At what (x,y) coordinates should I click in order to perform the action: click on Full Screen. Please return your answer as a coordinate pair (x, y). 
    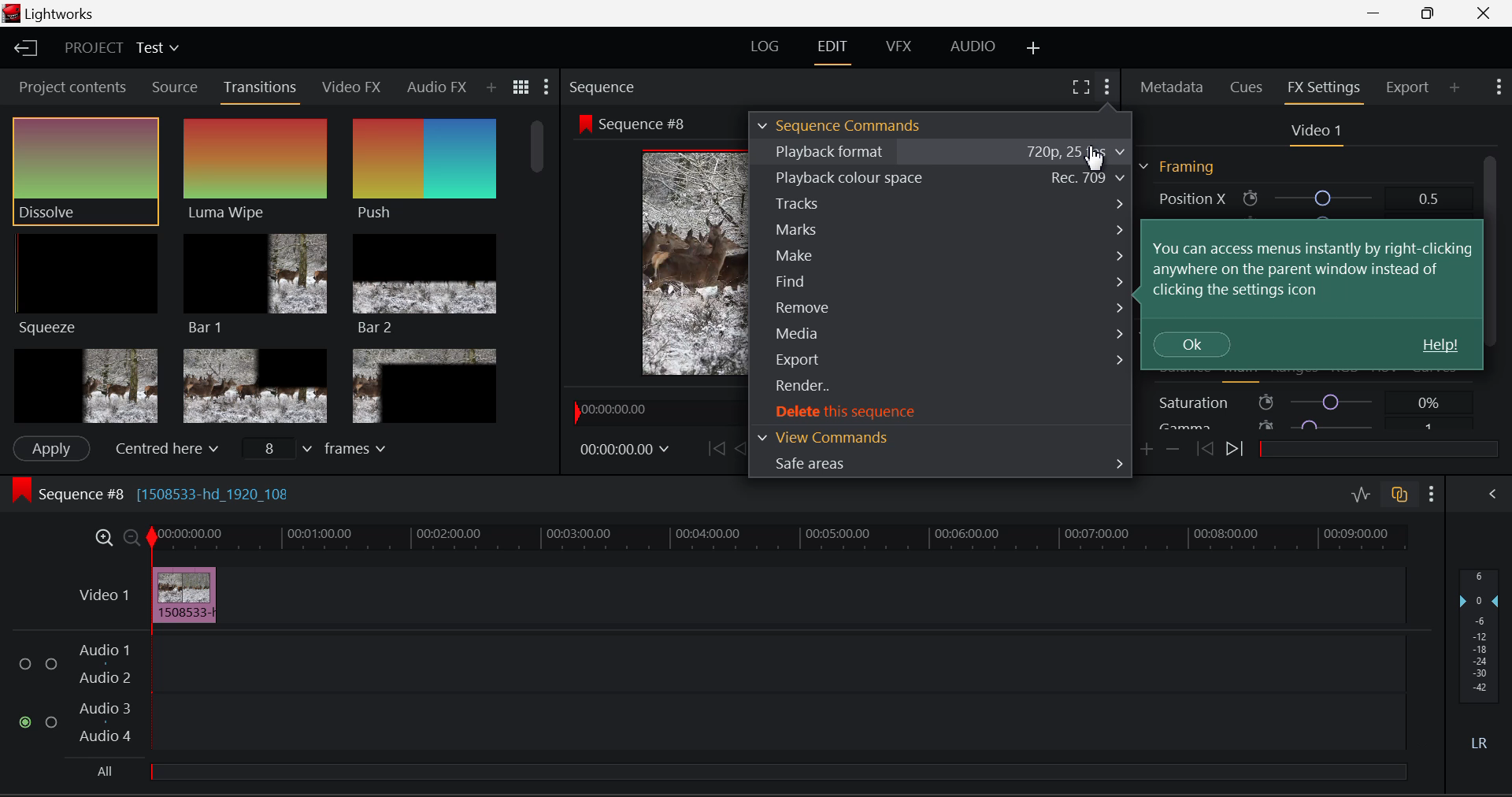
    Looking at the image, I should click on (1080, 87).